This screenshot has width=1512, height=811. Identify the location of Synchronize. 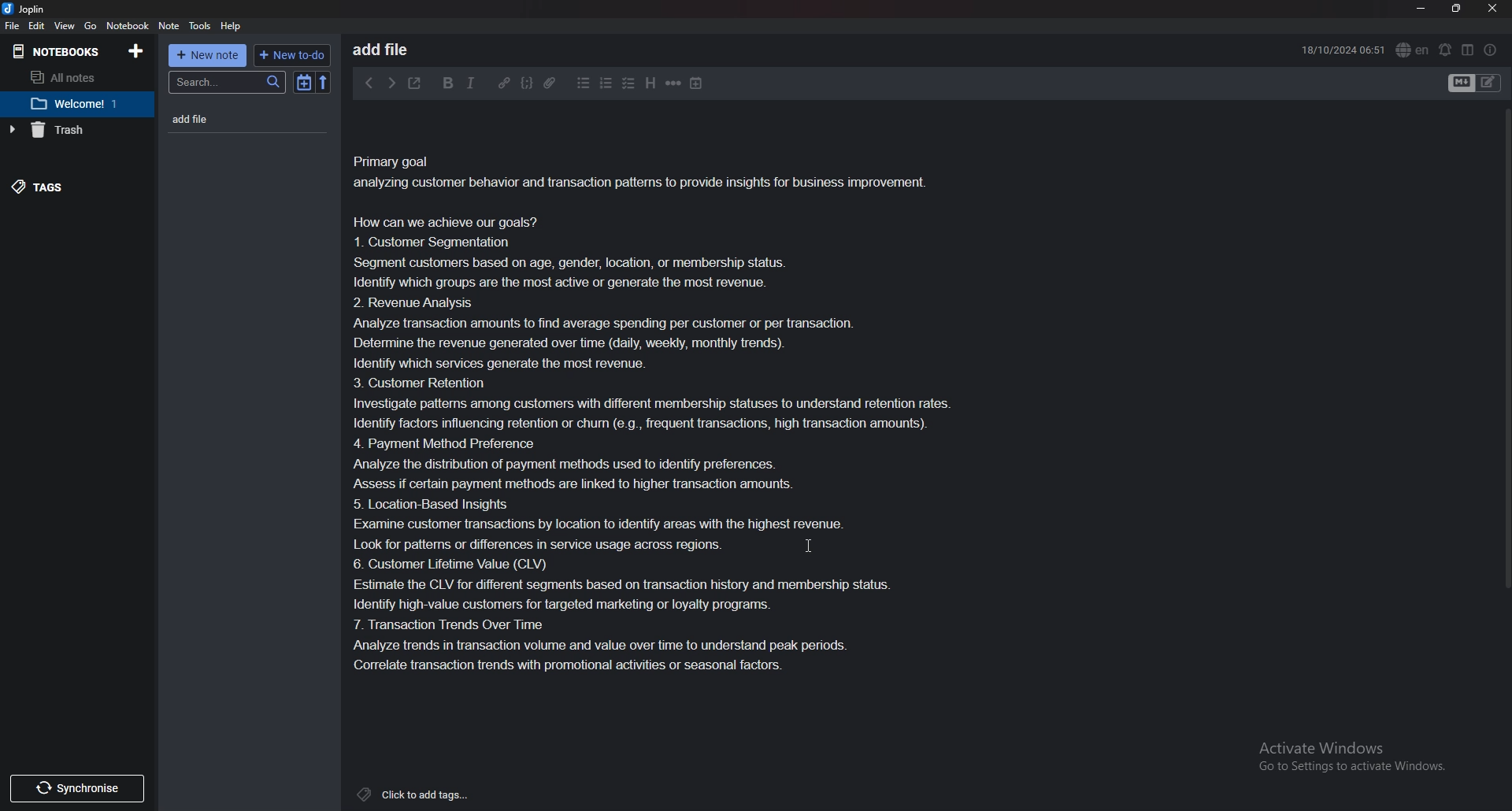
(74, 789).